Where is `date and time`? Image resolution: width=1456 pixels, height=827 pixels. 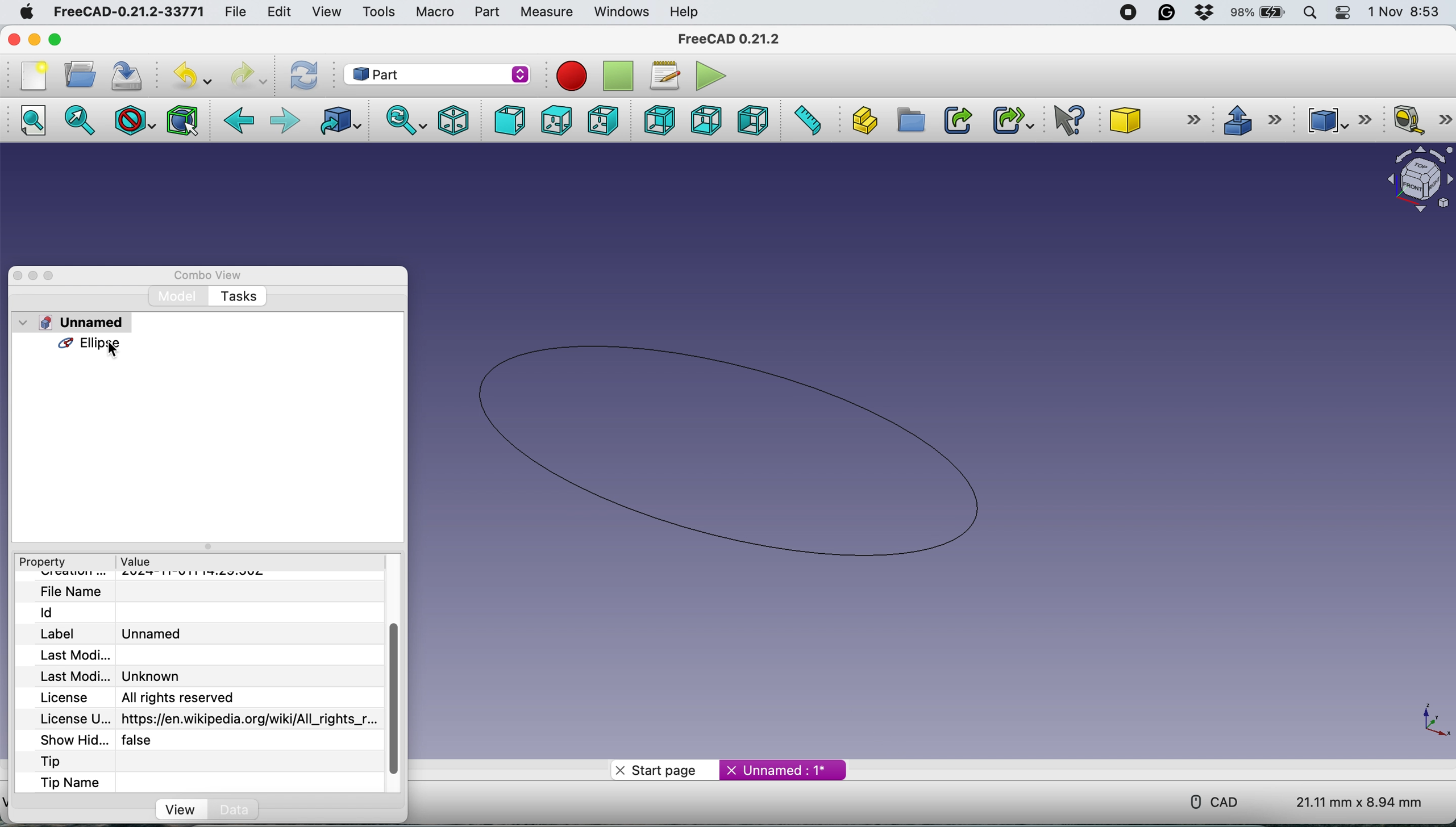
date and time is located at coordinates (1405, 12).